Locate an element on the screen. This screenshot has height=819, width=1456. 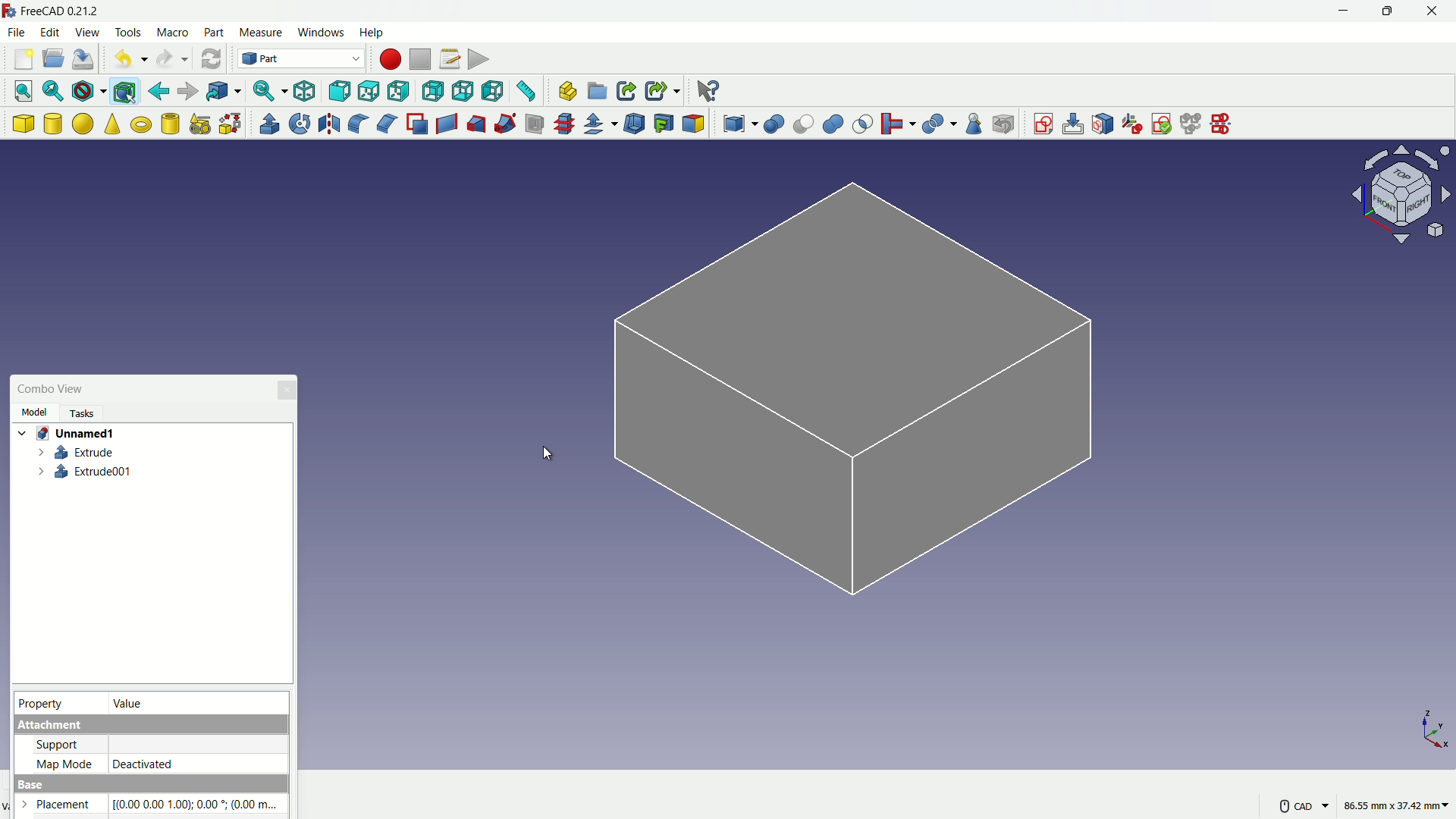
cylinder is located at coordinates (53, 124).